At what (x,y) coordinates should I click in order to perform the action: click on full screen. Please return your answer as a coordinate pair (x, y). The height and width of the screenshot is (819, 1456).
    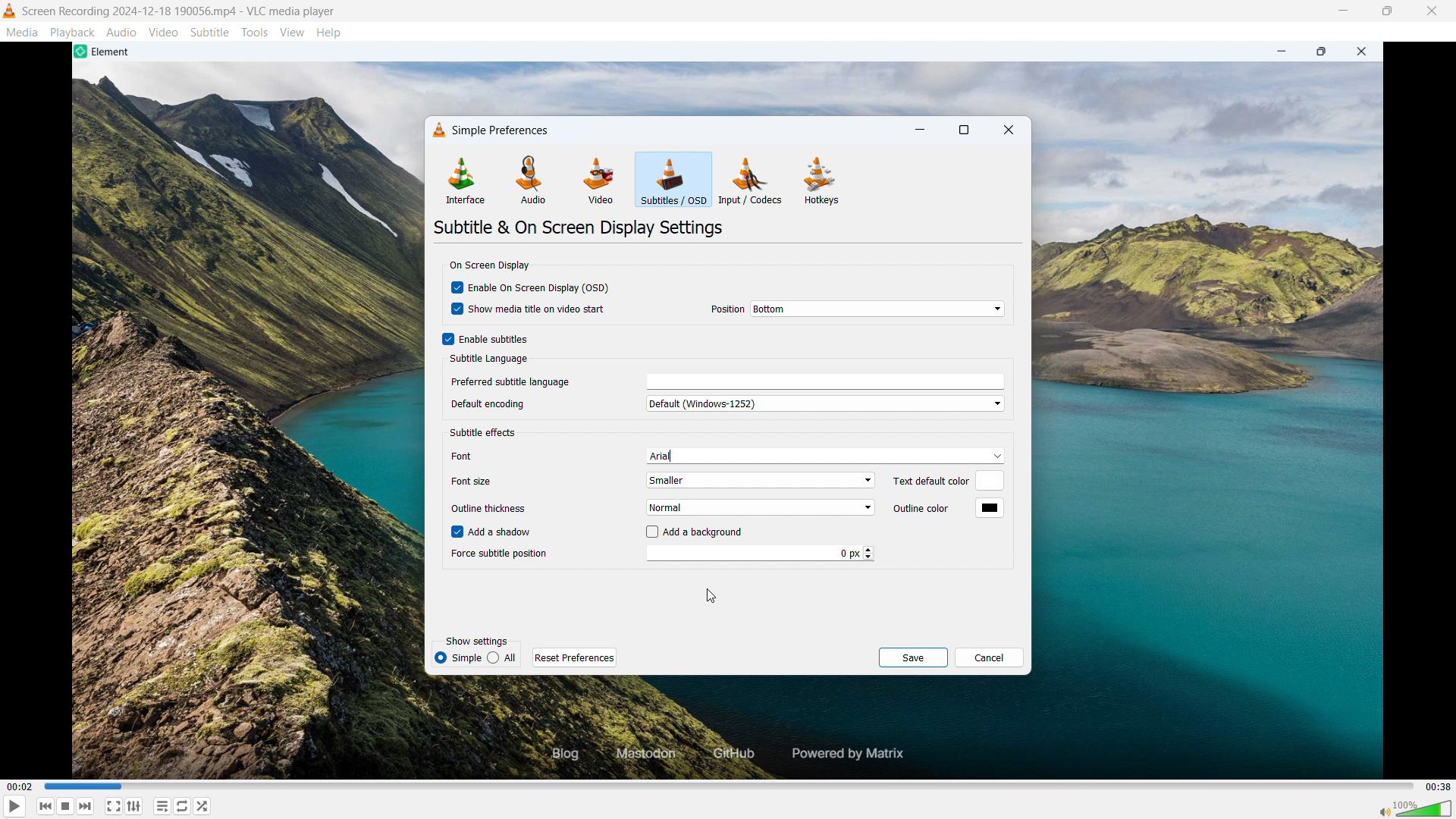
    Looking at the image, I should click on (114, 806).